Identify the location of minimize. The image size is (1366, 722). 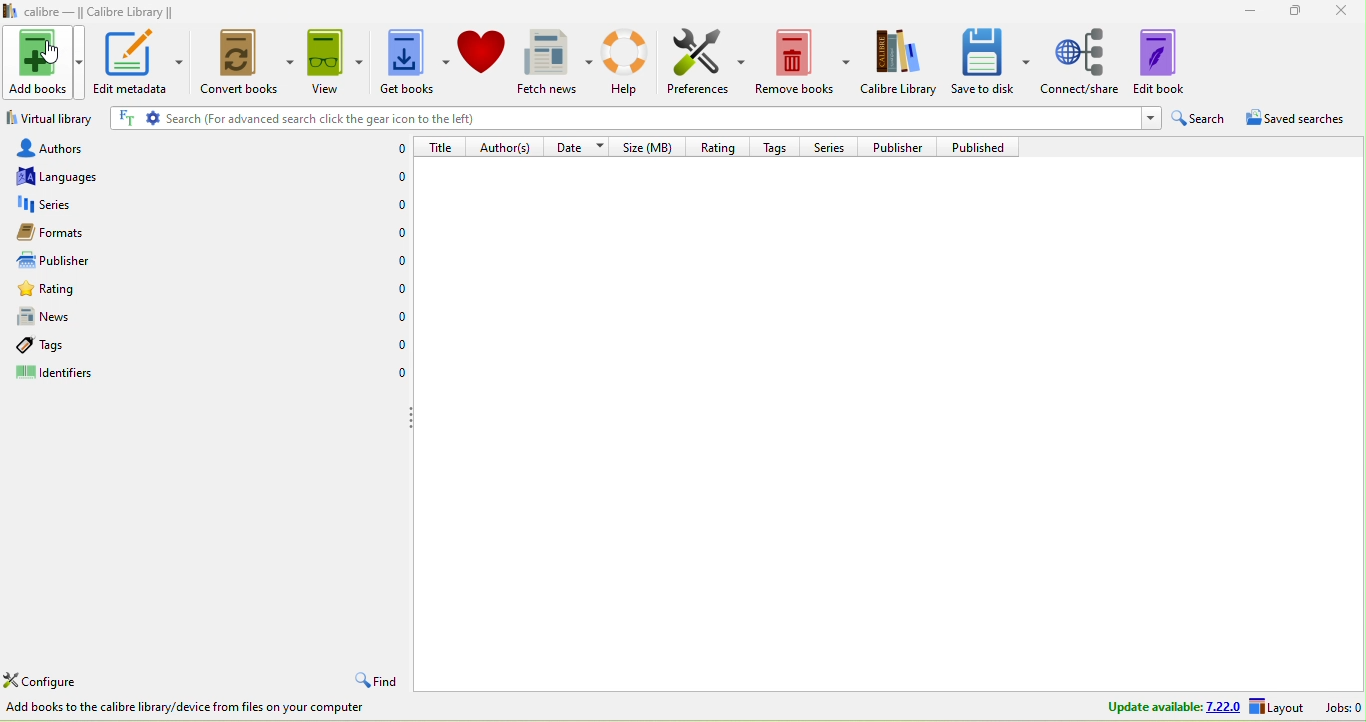
(1245, 11).